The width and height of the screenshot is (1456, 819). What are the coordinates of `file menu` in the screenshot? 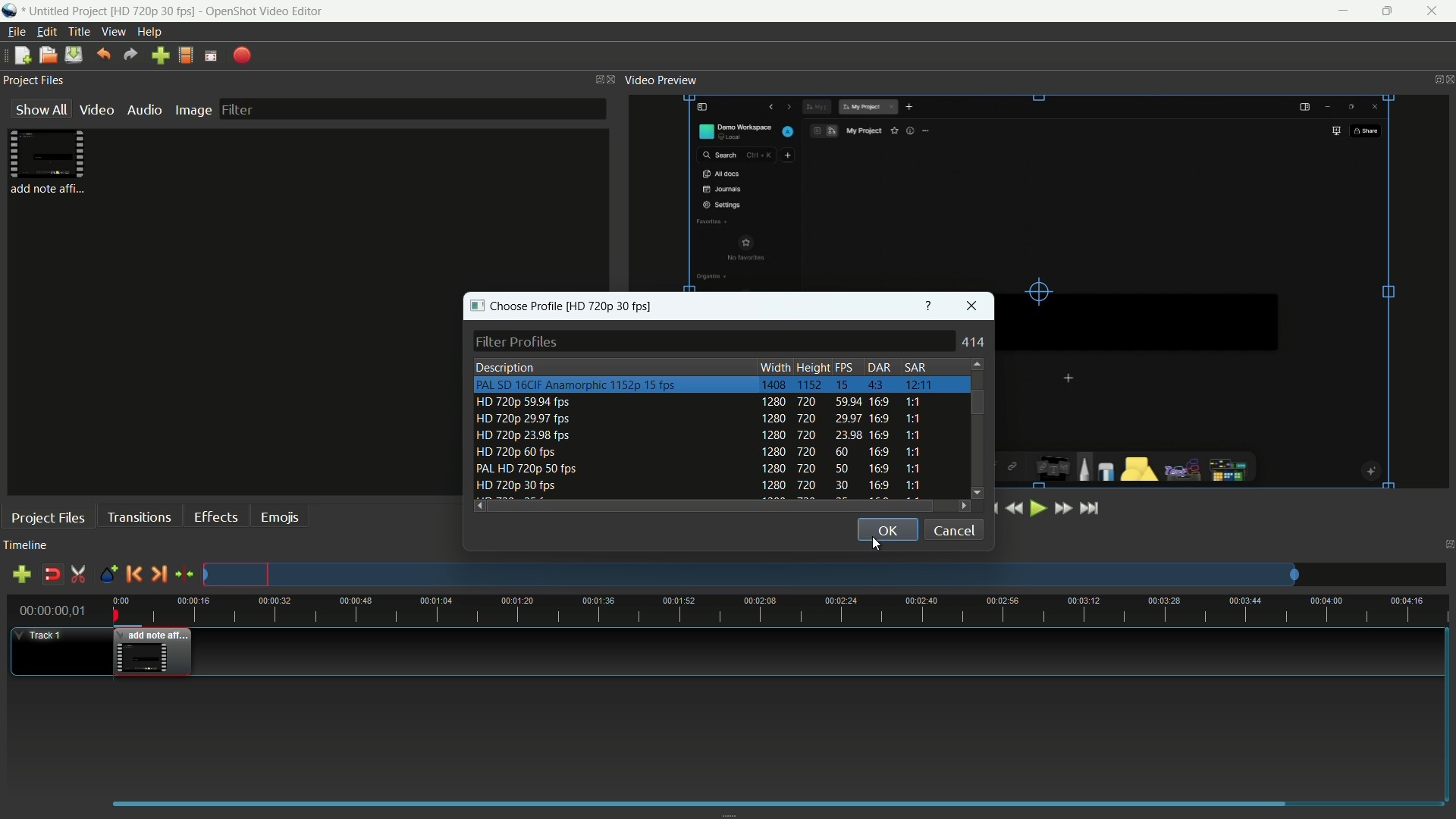 It's located at (16, 32).